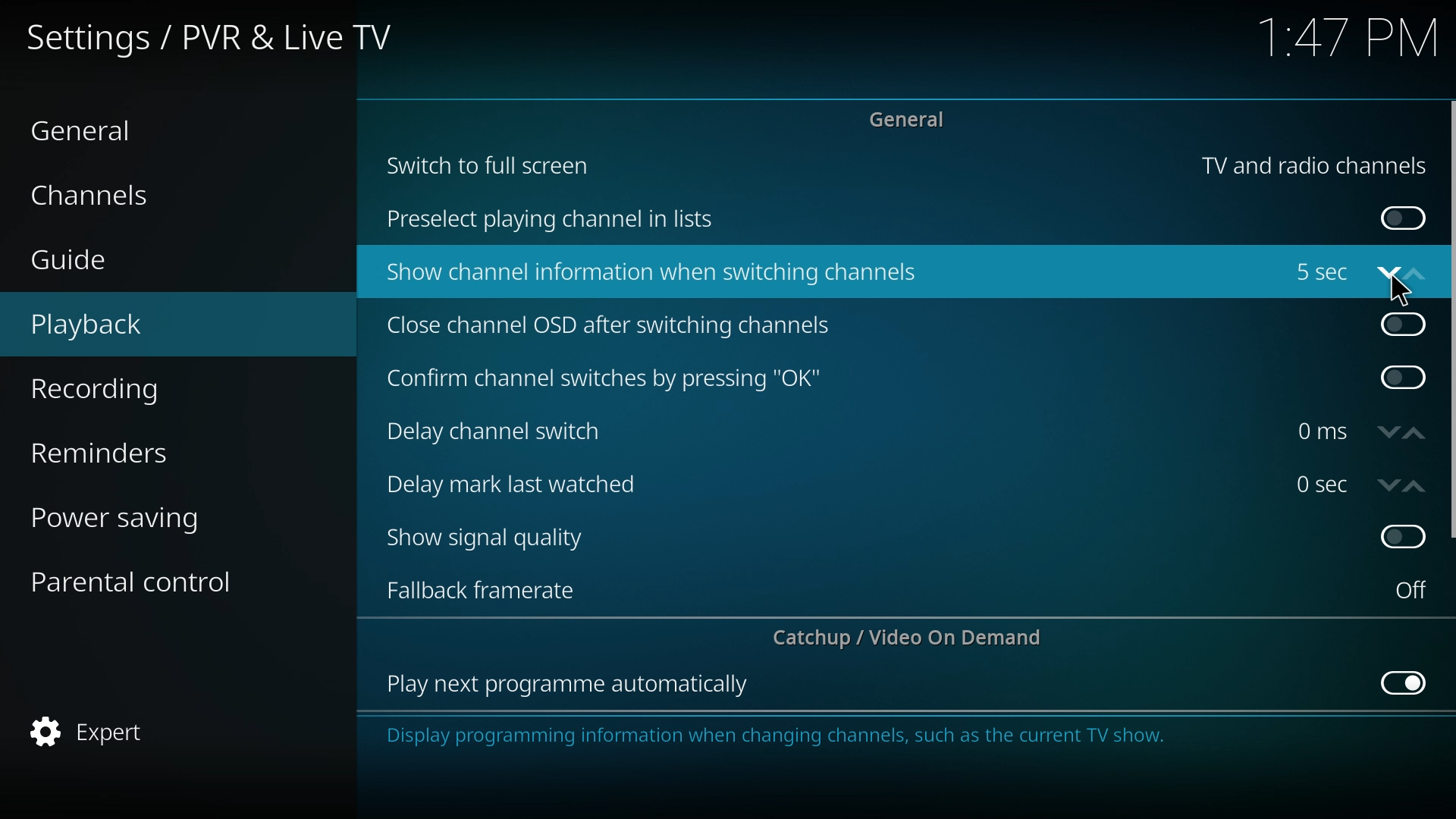 This screenshot has height=819, width=1456. I want to click on off, so click(1404, 322).